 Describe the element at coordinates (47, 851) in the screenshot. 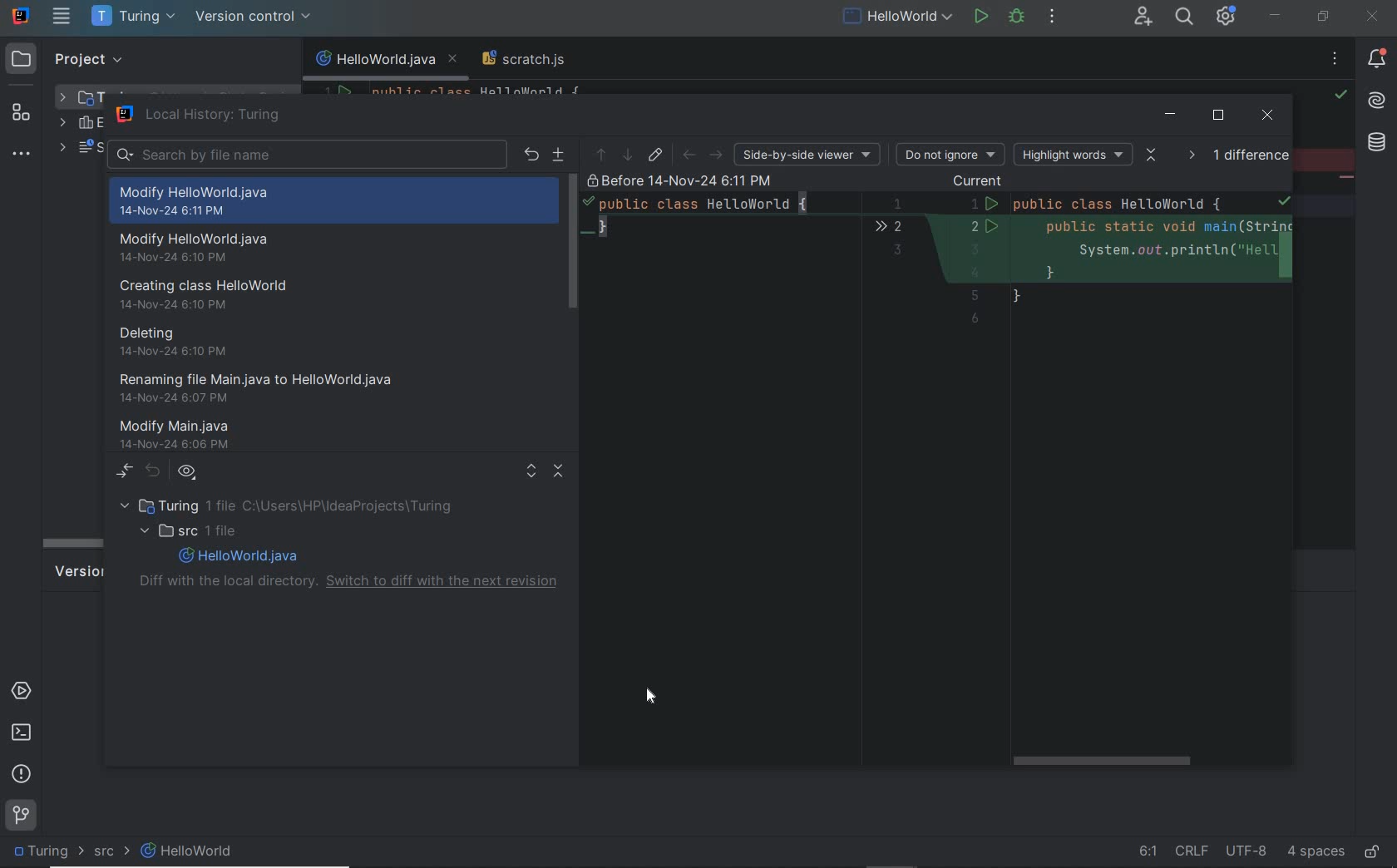

I see `project name` at that location.